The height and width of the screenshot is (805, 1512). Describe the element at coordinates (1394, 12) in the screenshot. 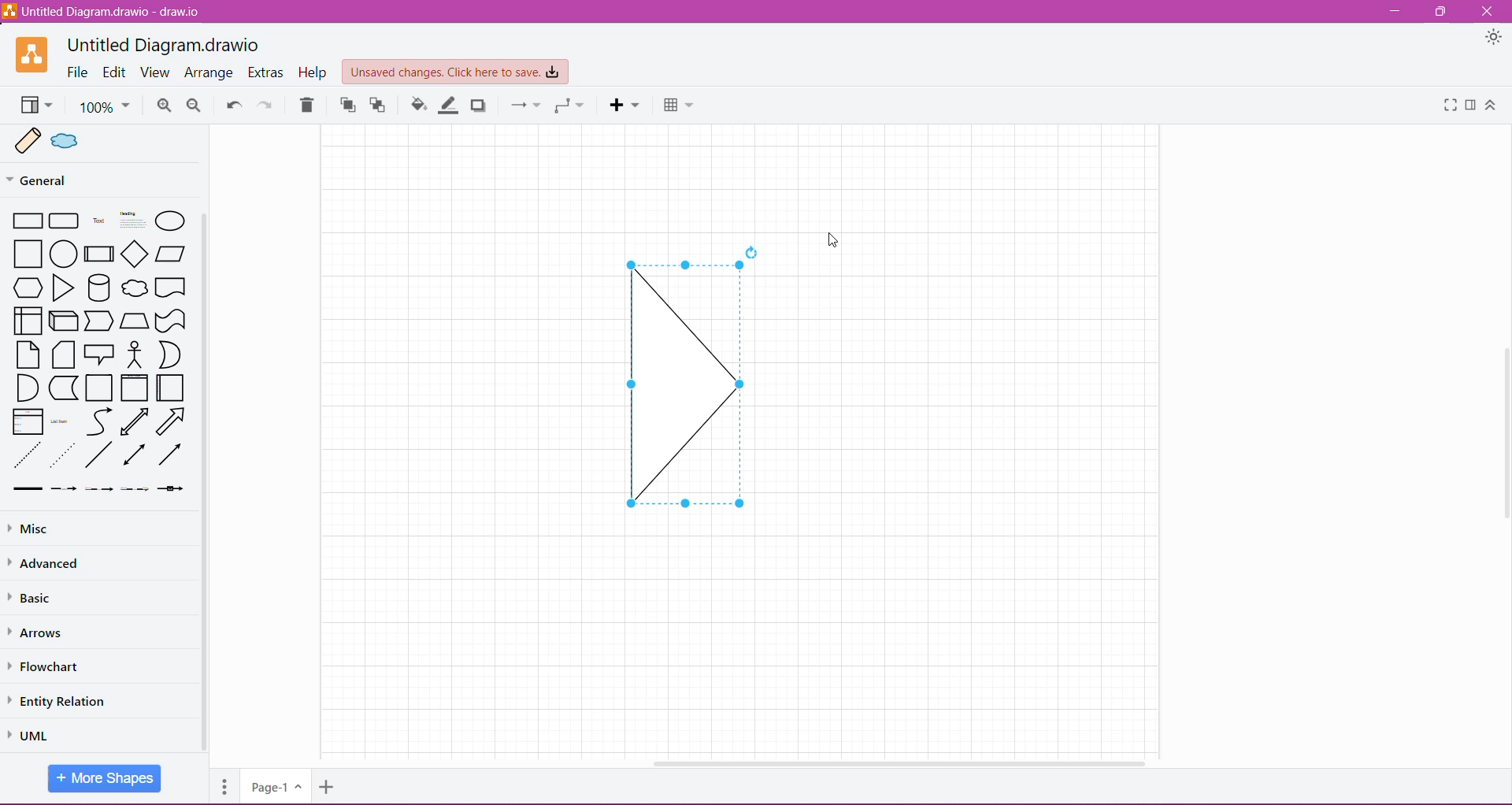

I see `Minimize` at that location.